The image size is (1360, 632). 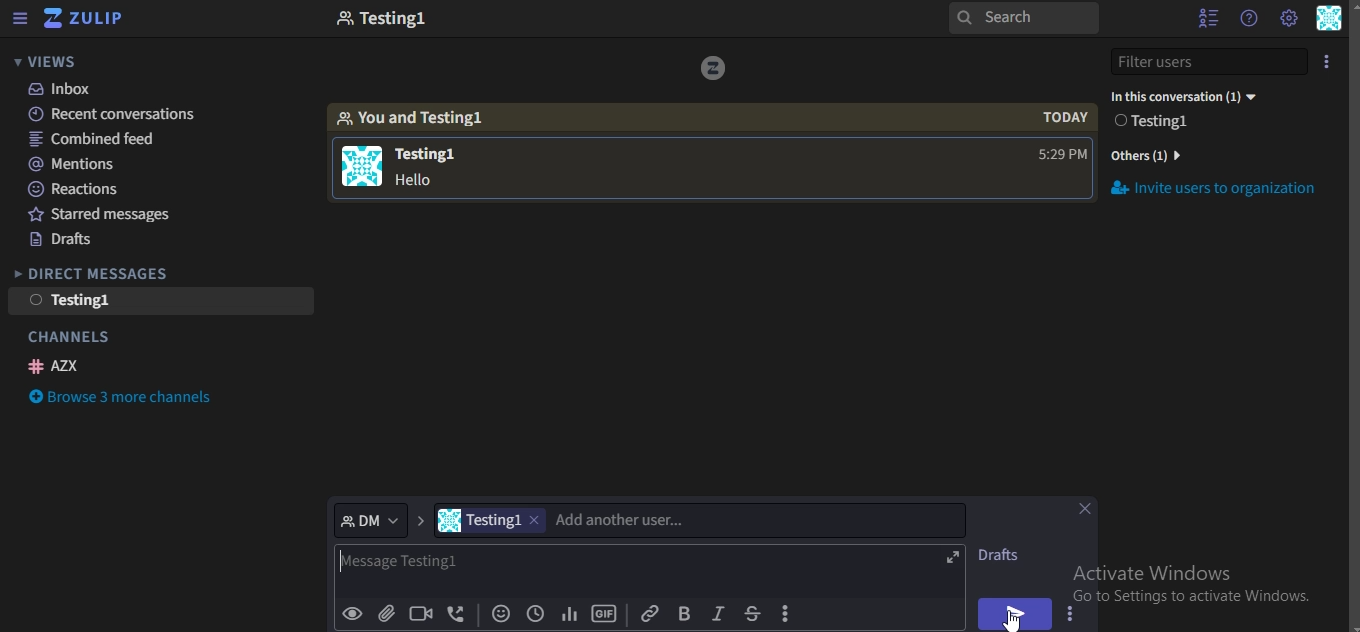 I want to click on invite users to organization, so click(x=1217, y=191).